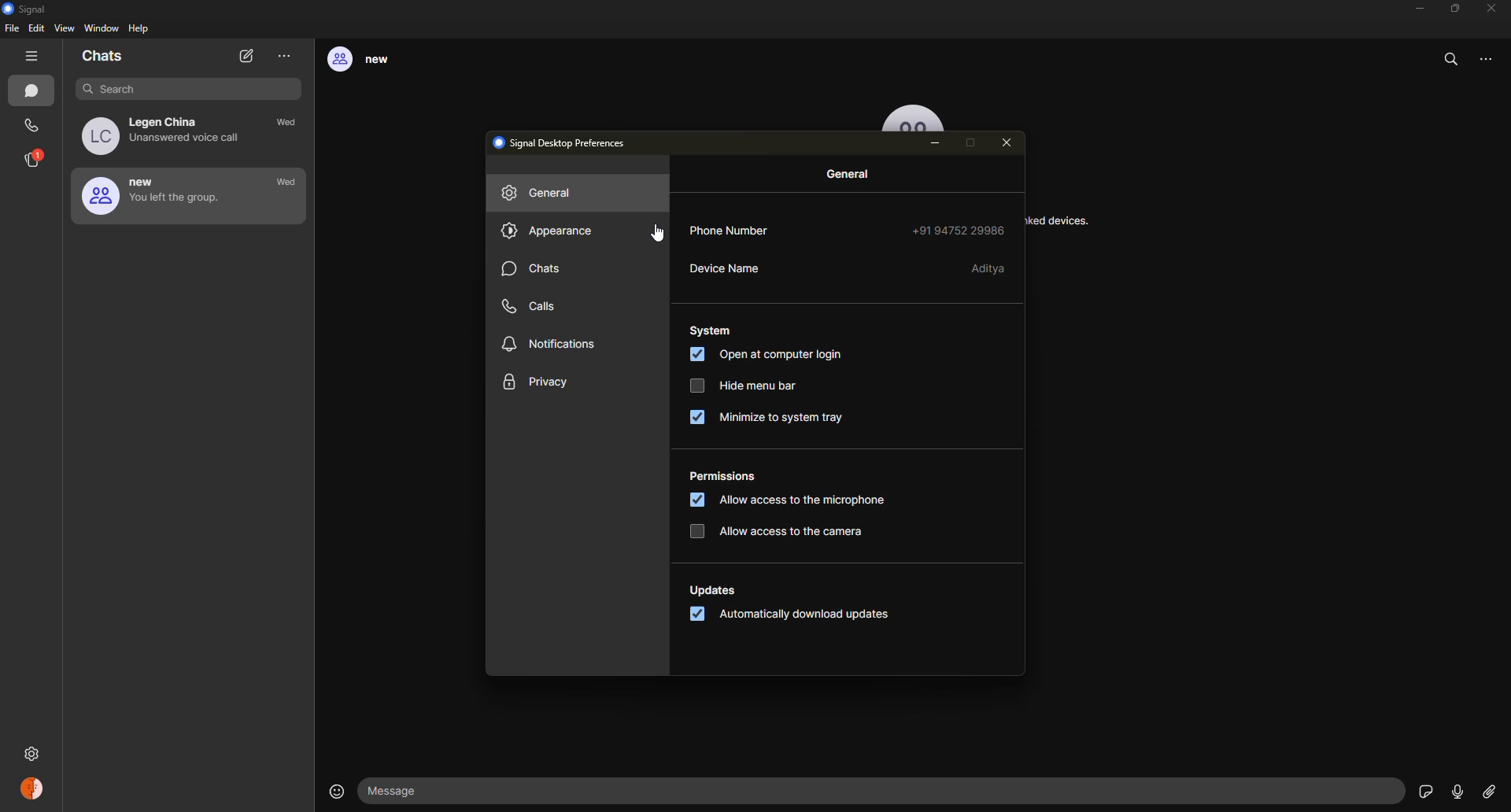 This screenshot has width=1511, height=812. What do you see at coordinates (565, 142) in the screenshot?
I see `signal desktop preferences` at bounding box center [565, 142].